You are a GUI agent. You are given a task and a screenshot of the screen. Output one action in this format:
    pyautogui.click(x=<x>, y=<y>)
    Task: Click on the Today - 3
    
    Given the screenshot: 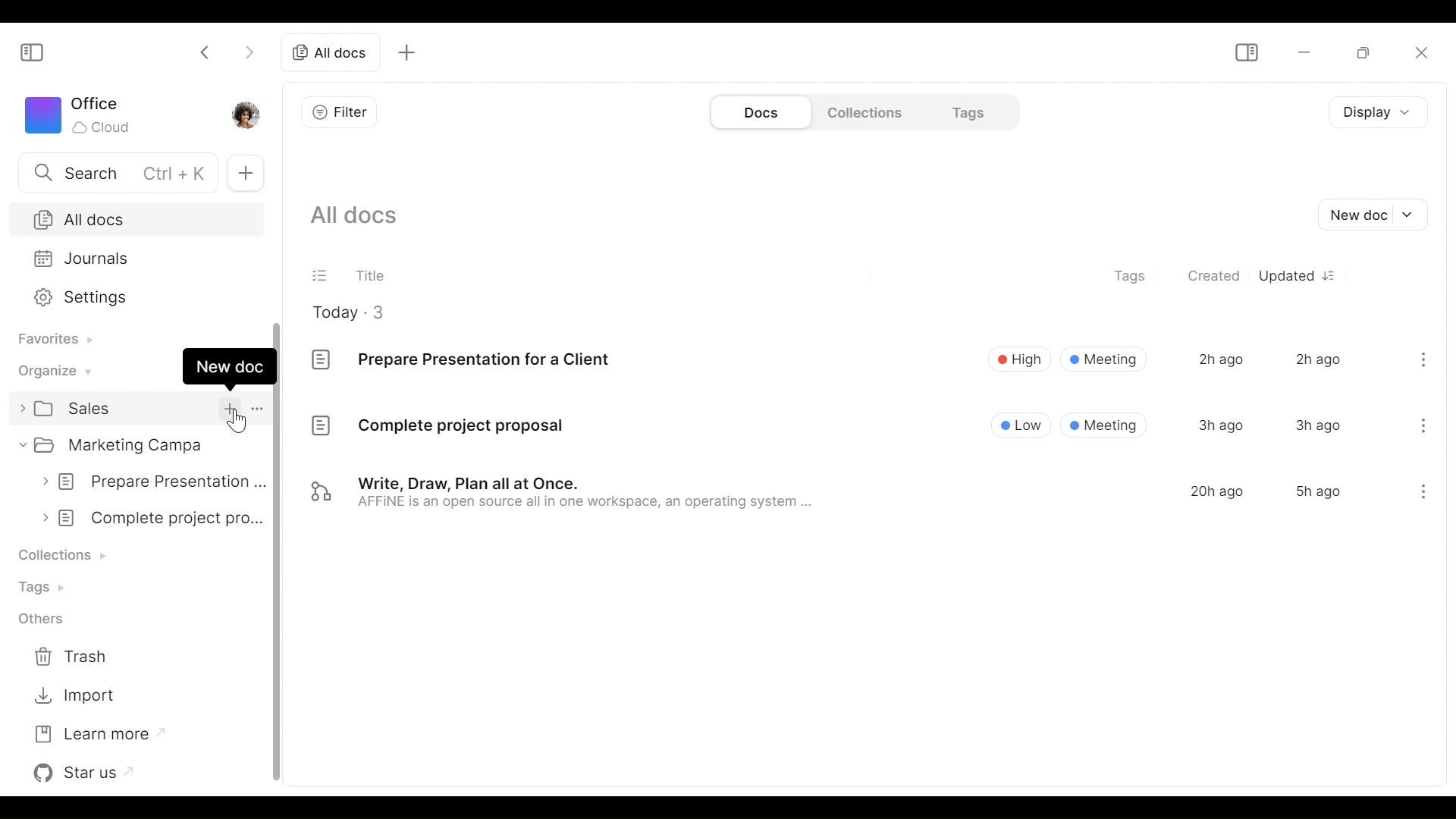 What is the action you would take?
    pyautogui.click(x=360, y=312)
    